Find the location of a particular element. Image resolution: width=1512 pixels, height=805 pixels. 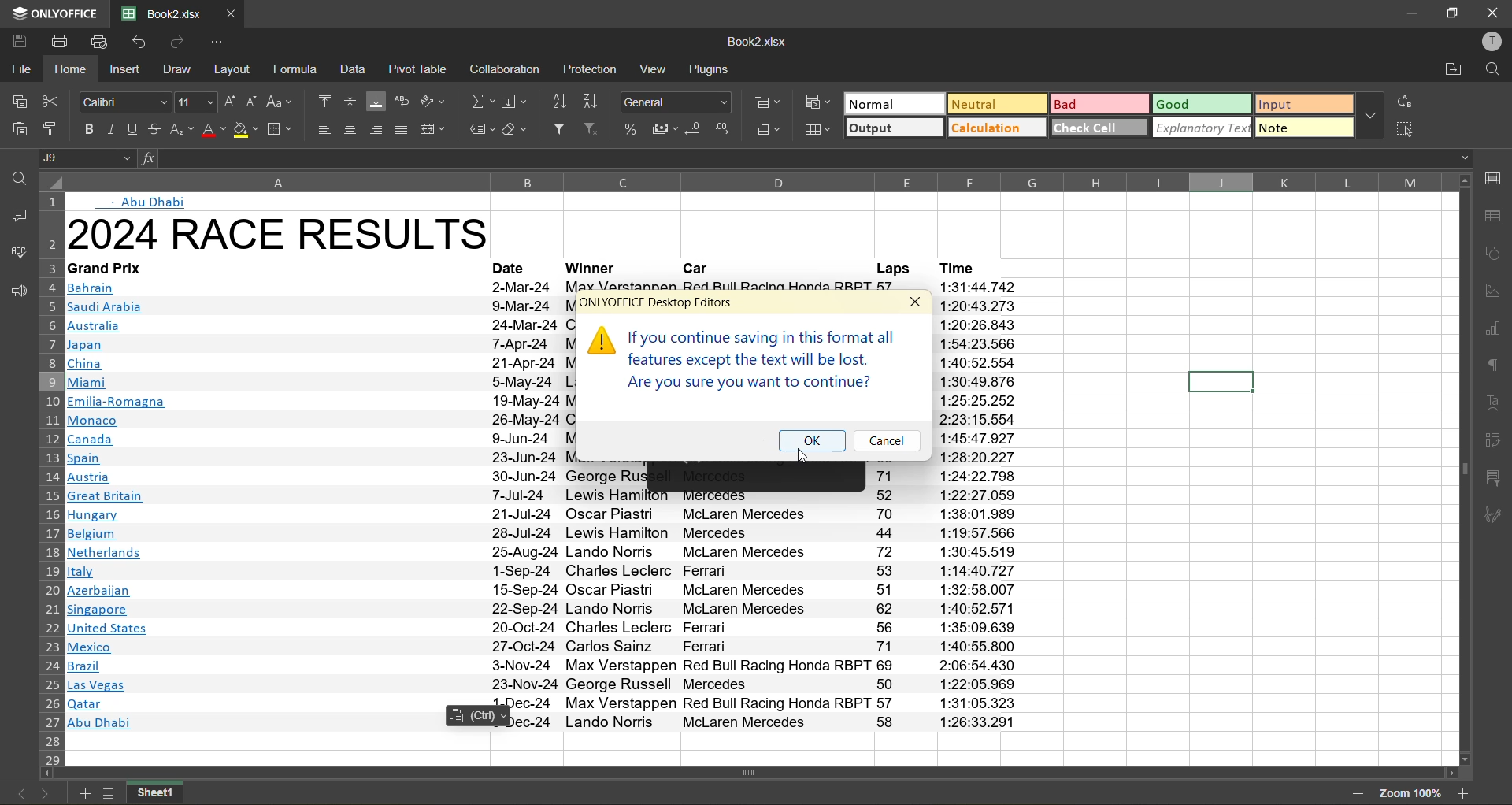

text info is located at coordinates (545, 476).